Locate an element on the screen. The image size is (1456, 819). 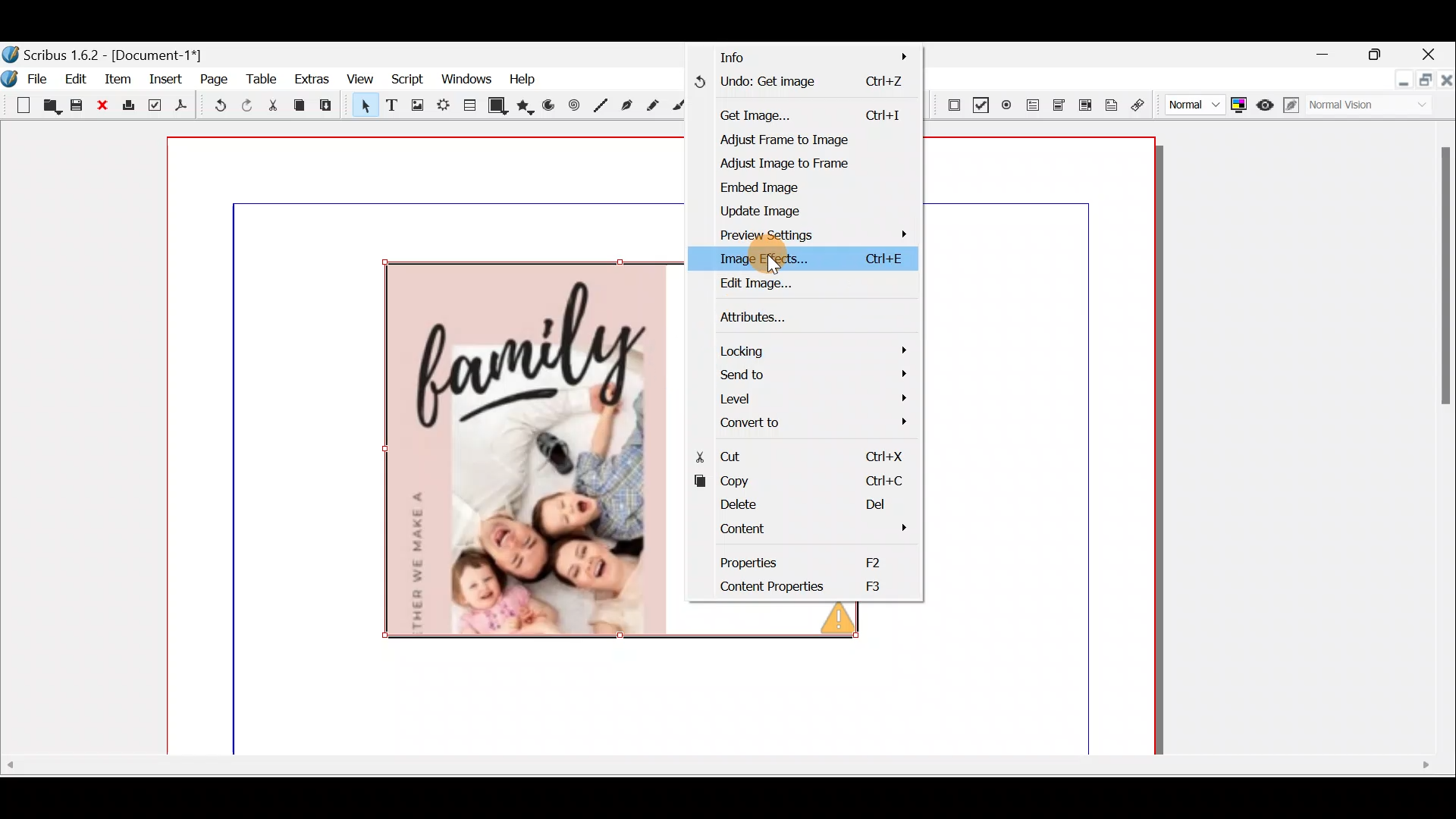
Spiral is located at coordinates (576, 109).